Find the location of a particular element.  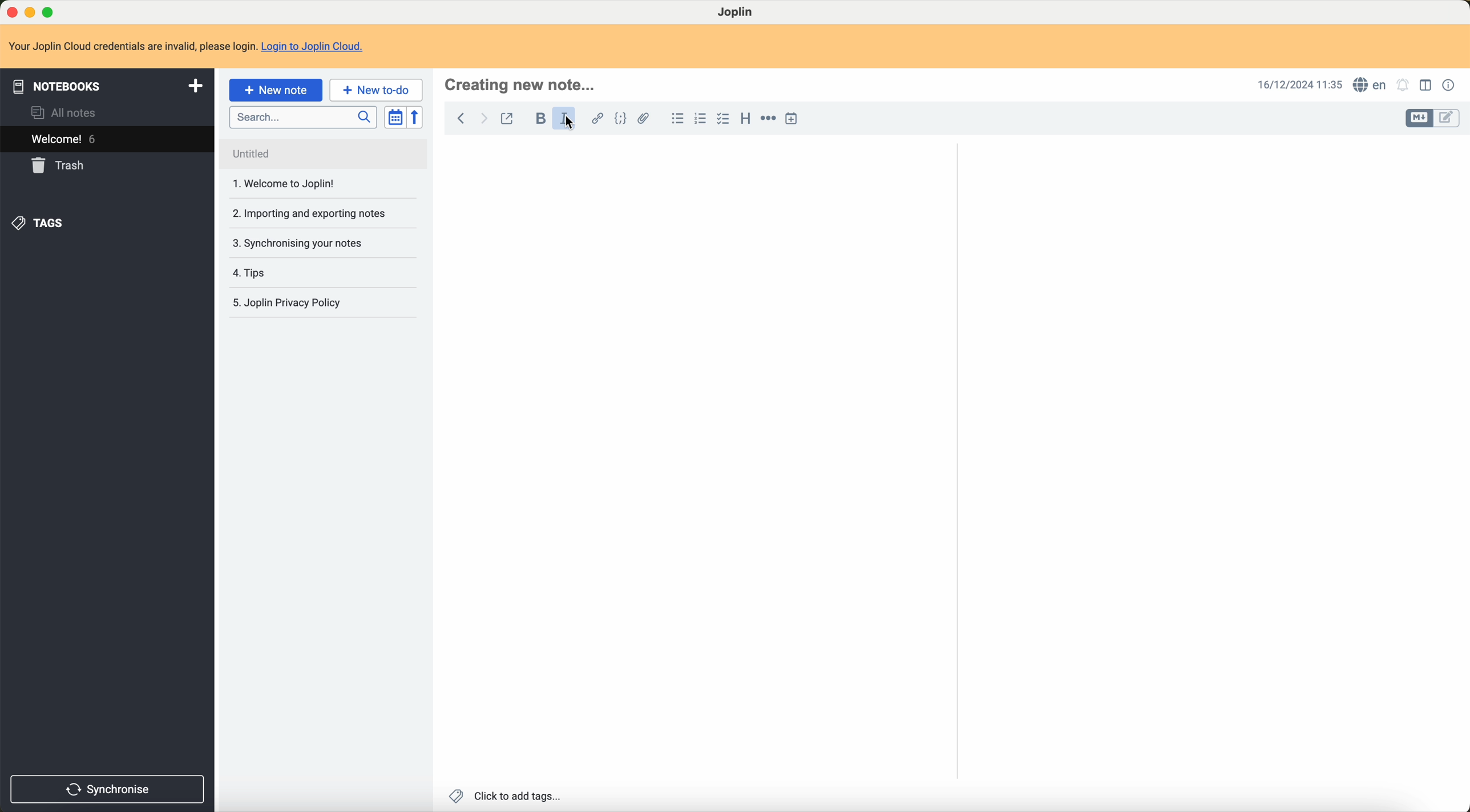

16/12/2024 11:35 is located at coordinates (1297, 85).